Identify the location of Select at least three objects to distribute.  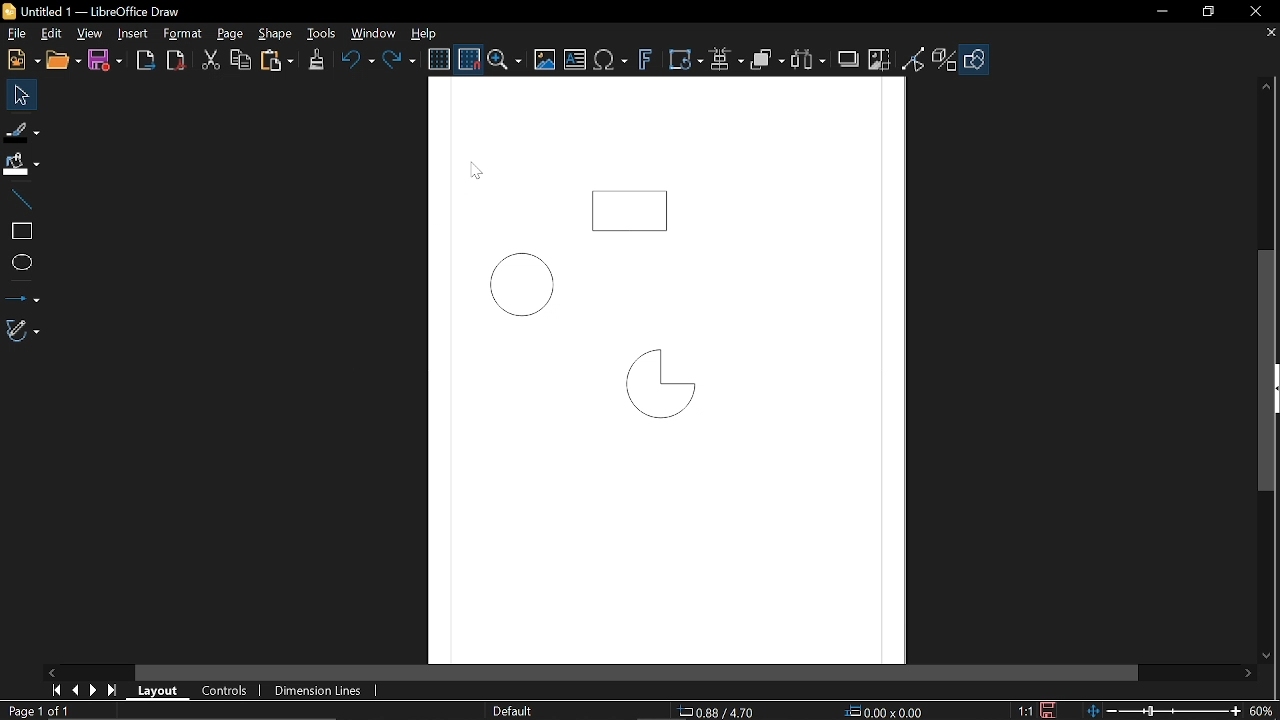
(810, 61).